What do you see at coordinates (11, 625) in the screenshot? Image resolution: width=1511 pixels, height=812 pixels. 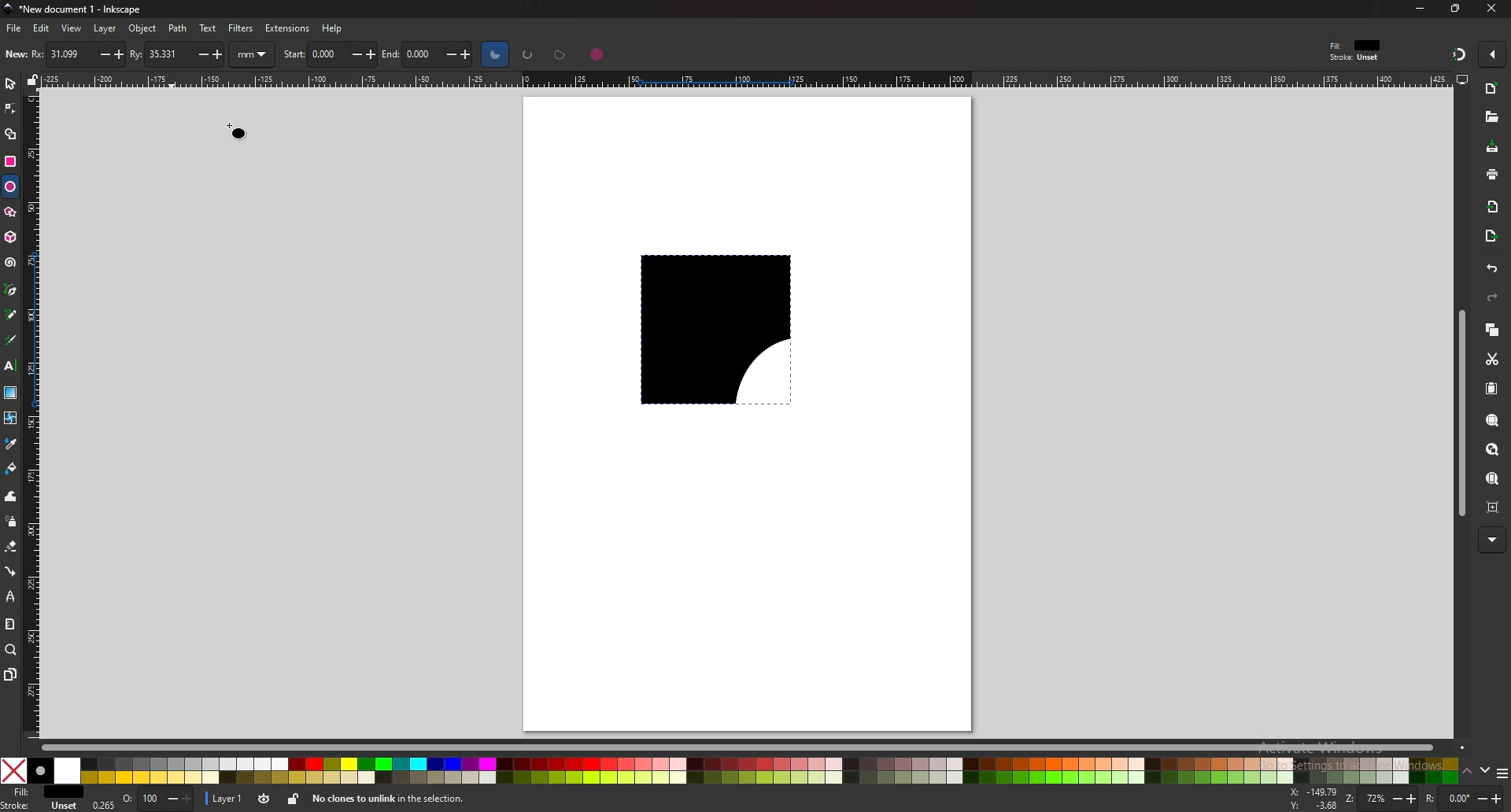 I see `measure` at bounding box center [11, 625].